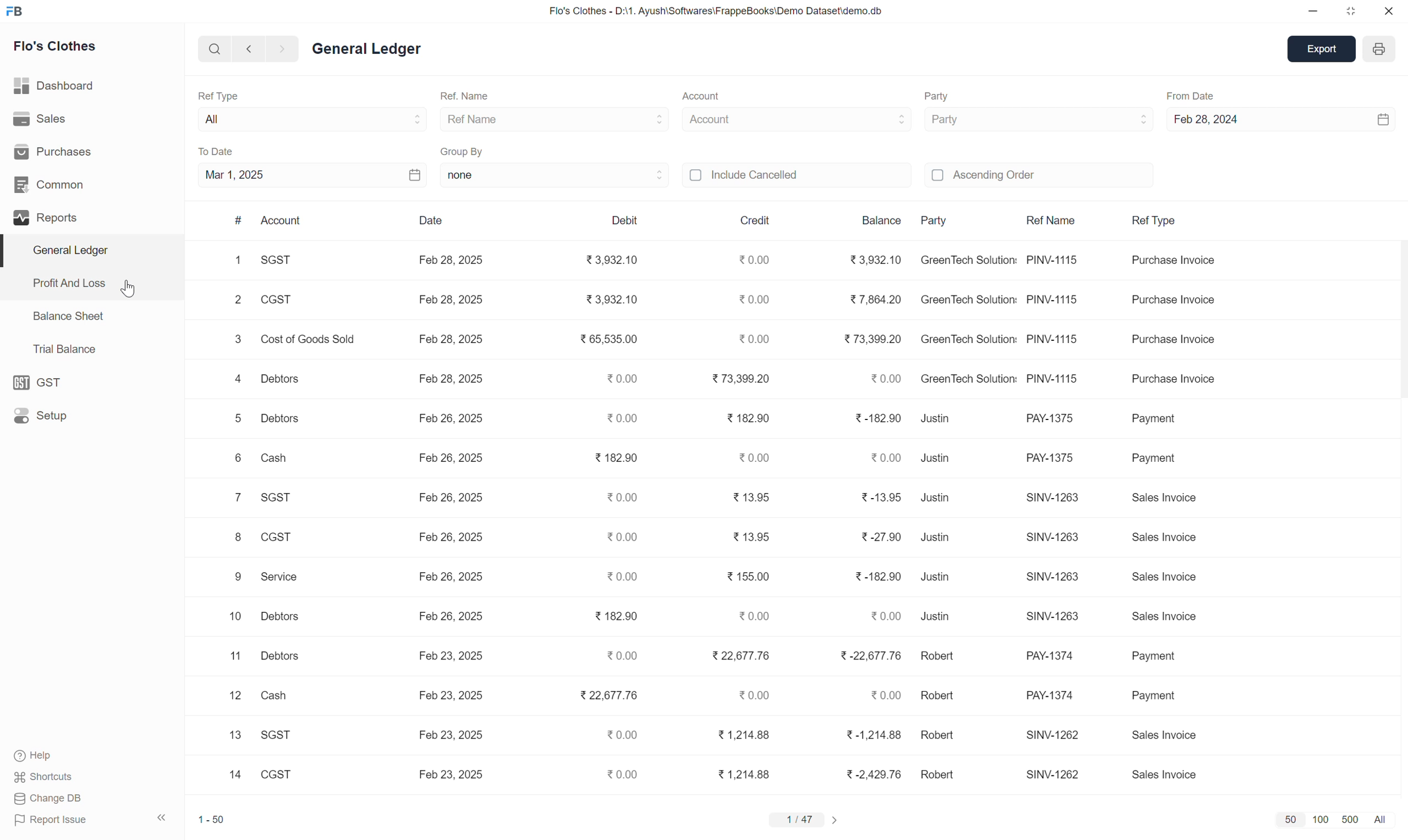  I want to click on SINV-1263, so click(1055, 618).